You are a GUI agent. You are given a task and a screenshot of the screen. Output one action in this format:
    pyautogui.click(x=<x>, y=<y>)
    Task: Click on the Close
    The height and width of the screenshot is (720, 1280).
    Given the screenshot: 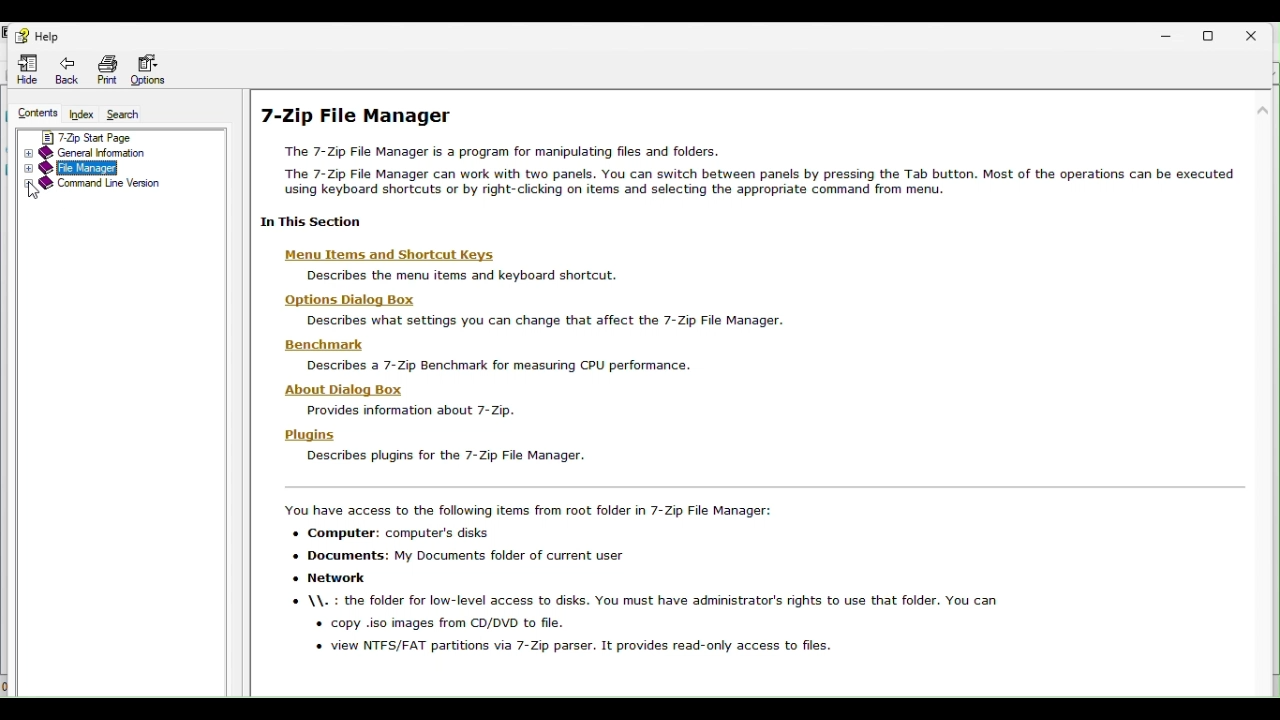 What is the action you would take?
    pyautogui.click(x=1259, y=31)
    